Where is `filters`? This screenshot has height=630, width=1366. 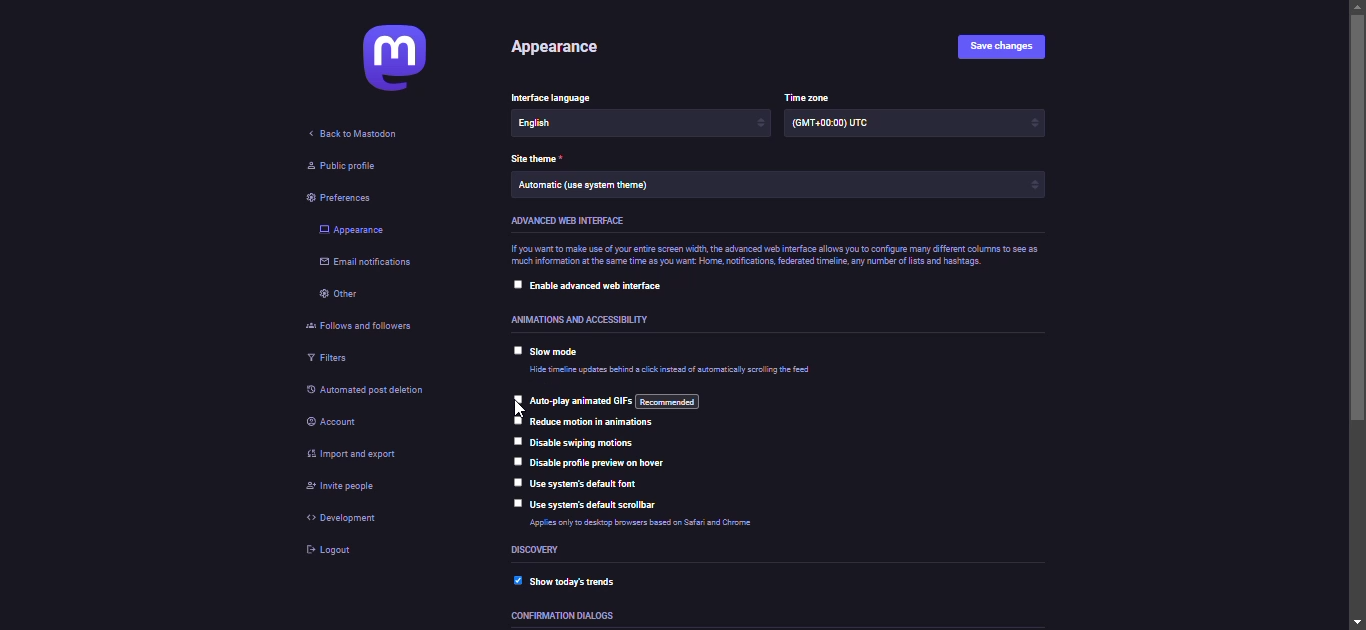
filters is located at coordinates (328, 363).